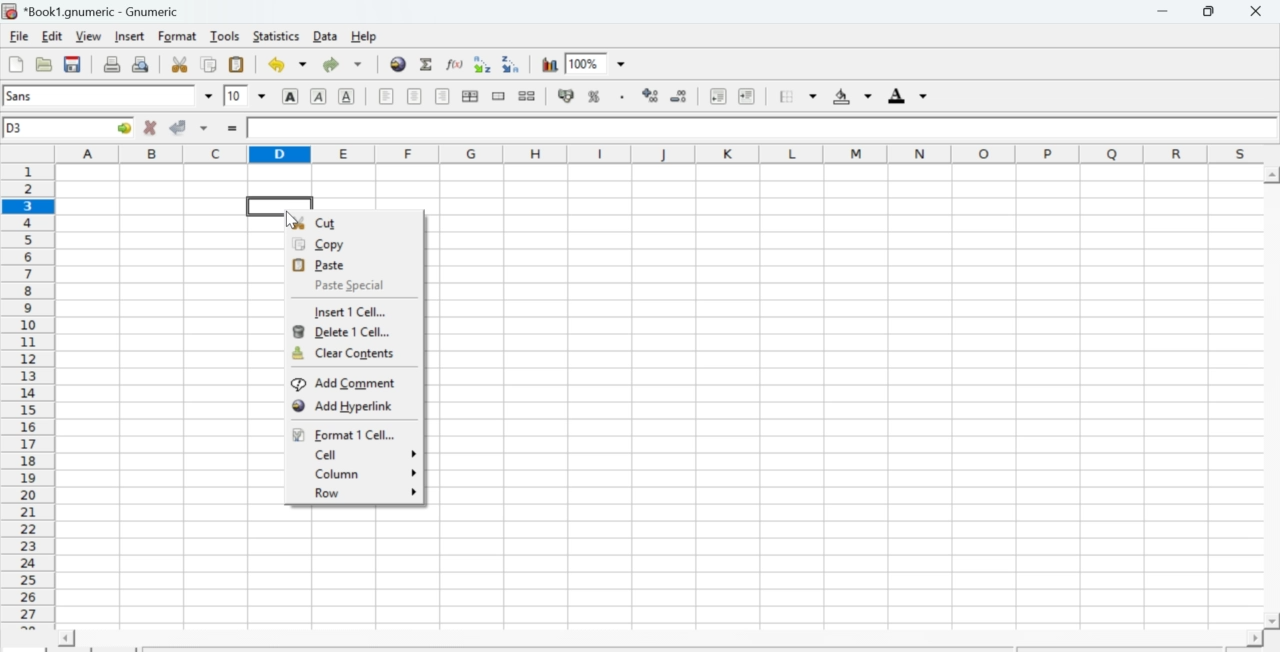  Describe the element at coordinates (72, 65) in the screenshot. I see `Save` at that location.